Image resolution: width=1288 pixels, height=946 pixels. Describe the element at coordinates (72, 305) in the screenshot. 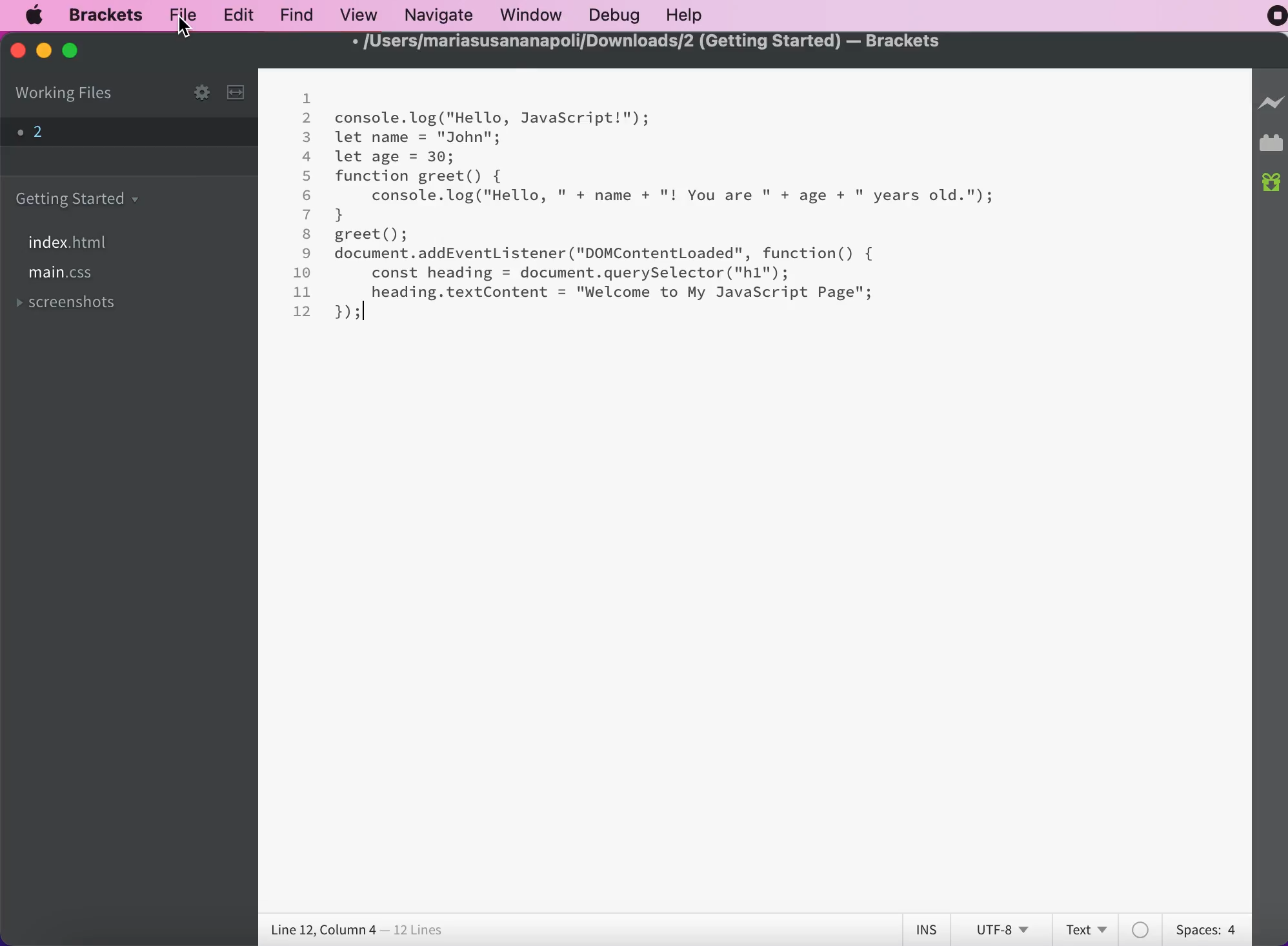

I see `screenshots` at that location.